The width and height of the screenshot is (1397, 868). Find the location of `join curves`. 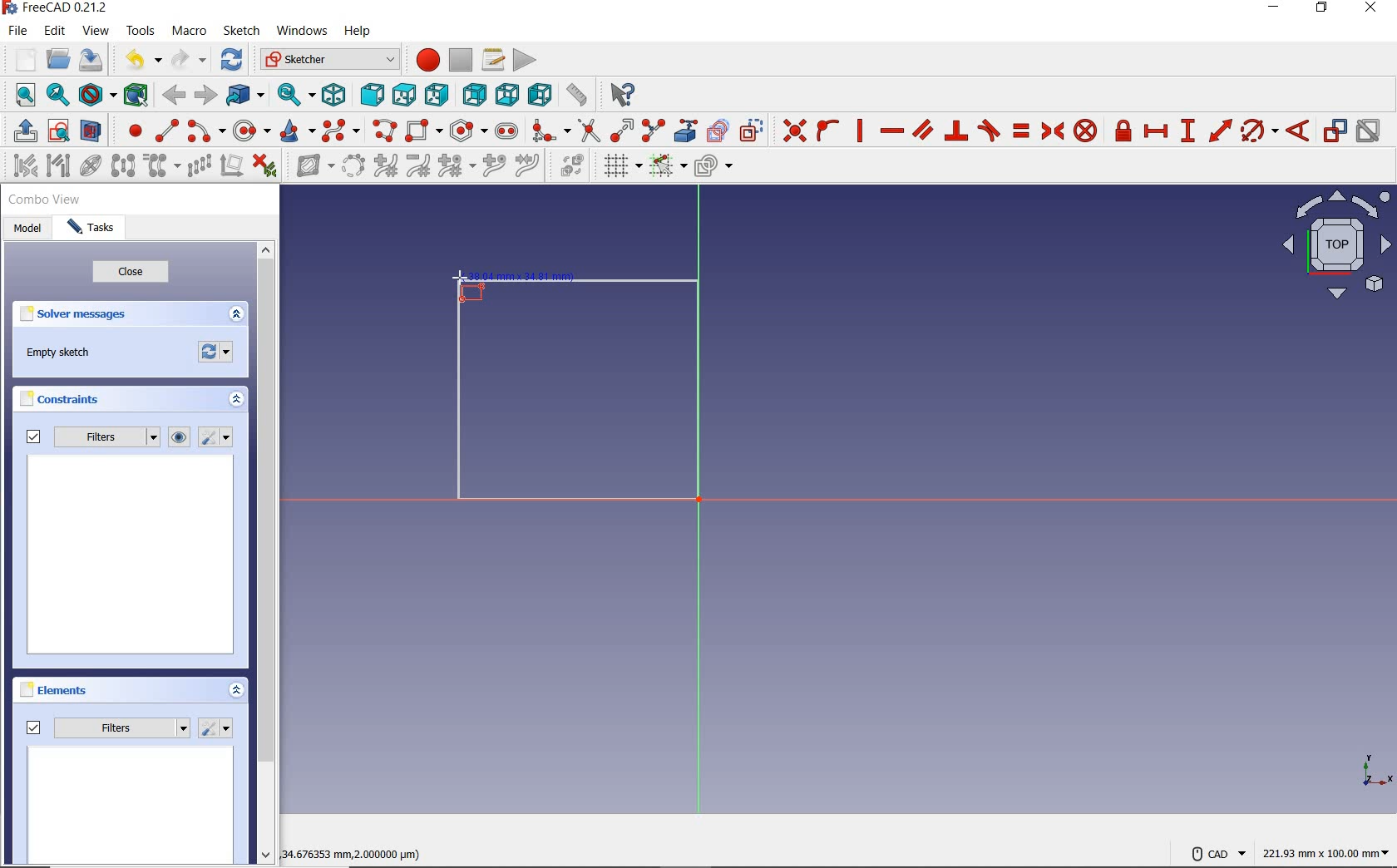

join curves is located at coordinates (528, 167).